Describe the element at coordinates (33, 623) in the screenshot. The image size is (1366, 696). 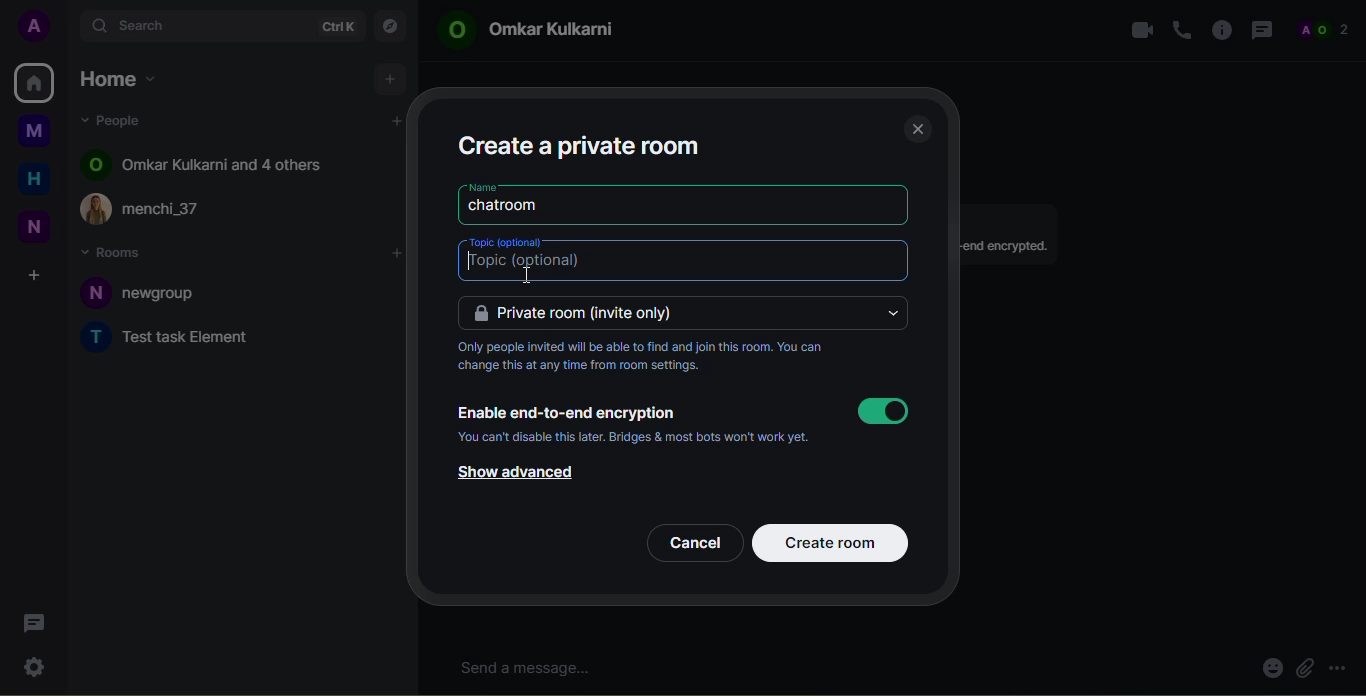
I see `threads` at that location.